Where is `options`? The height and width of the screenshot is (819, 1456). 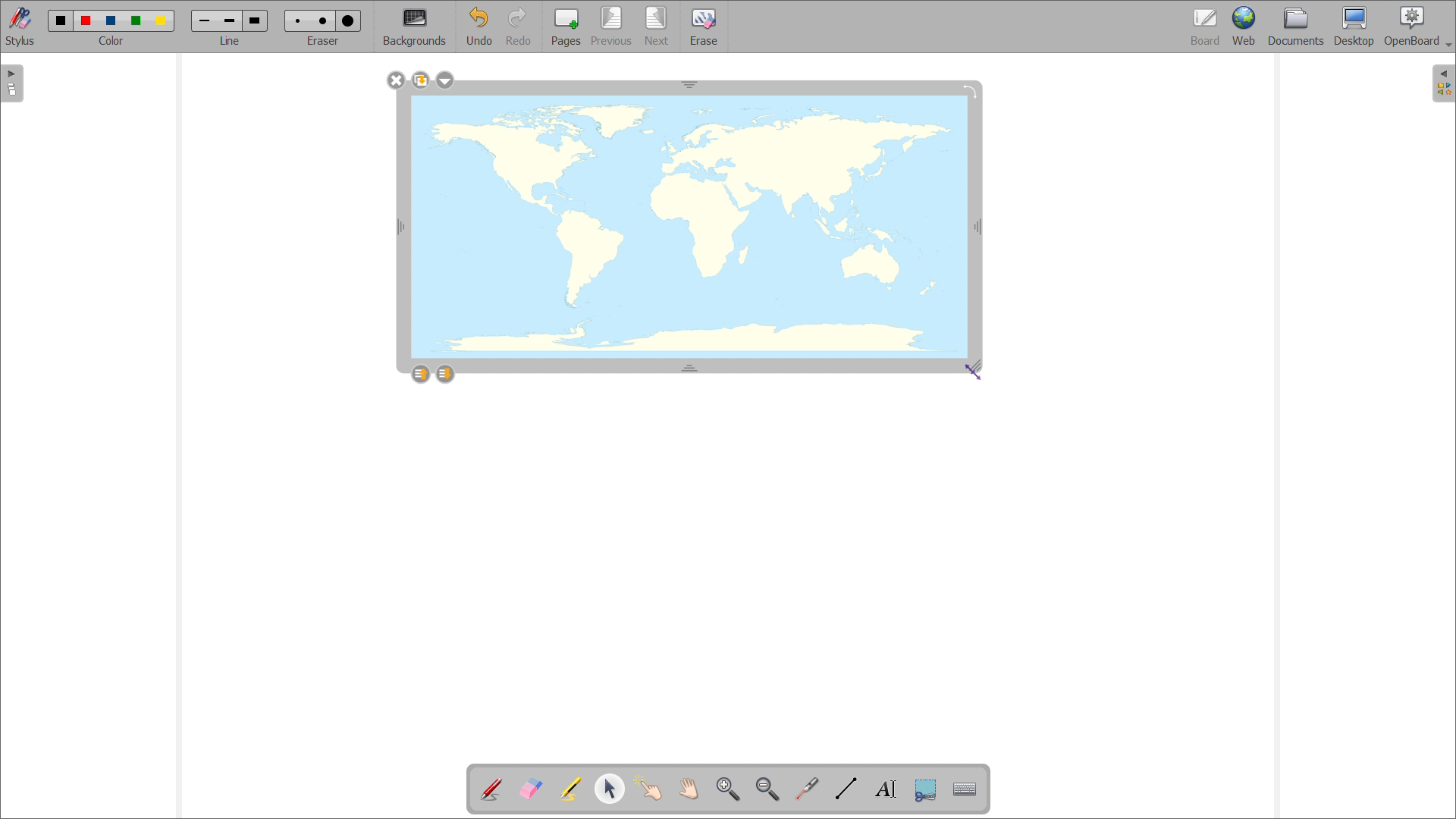 options is located at coordinates (445, 80).